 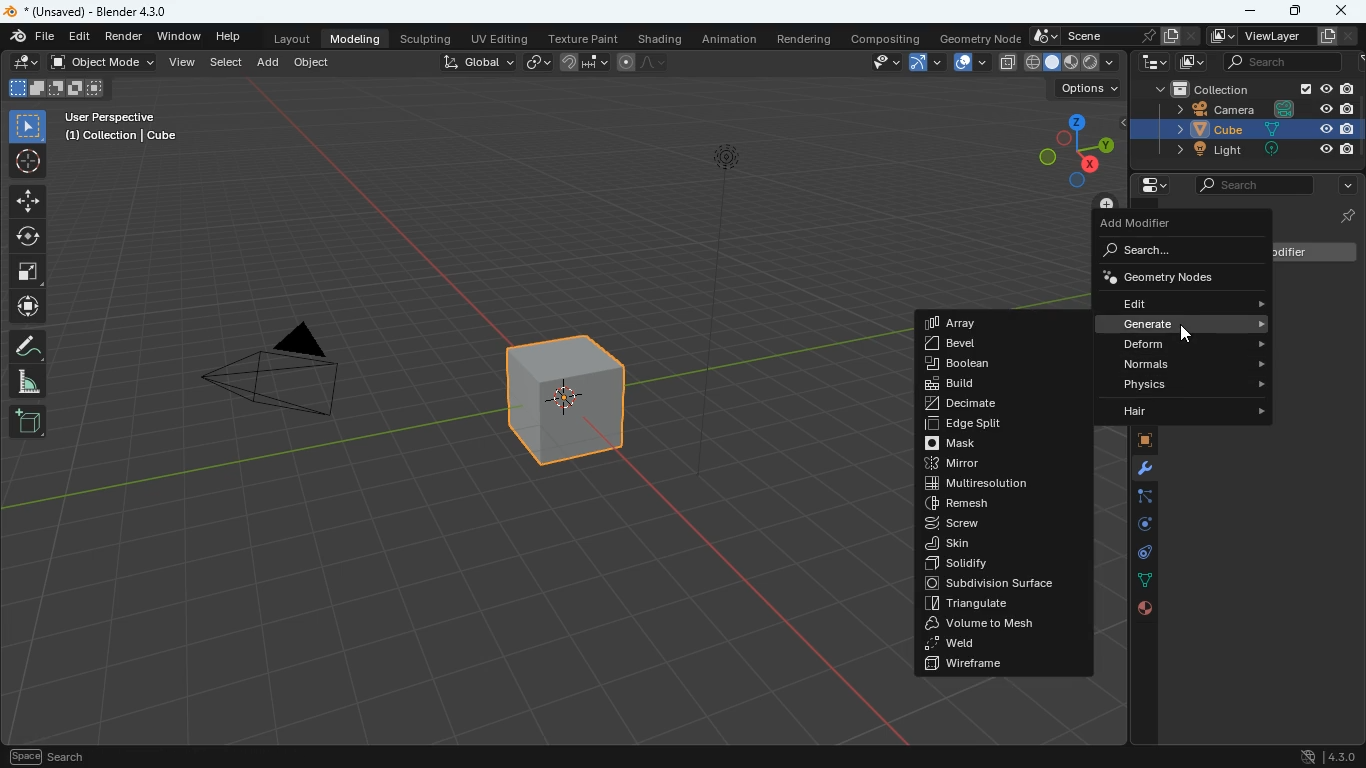 What do you see at coordinates (1136, 470) in the screenshot?
I see `modifiers` at bounding box center [1136, 470].